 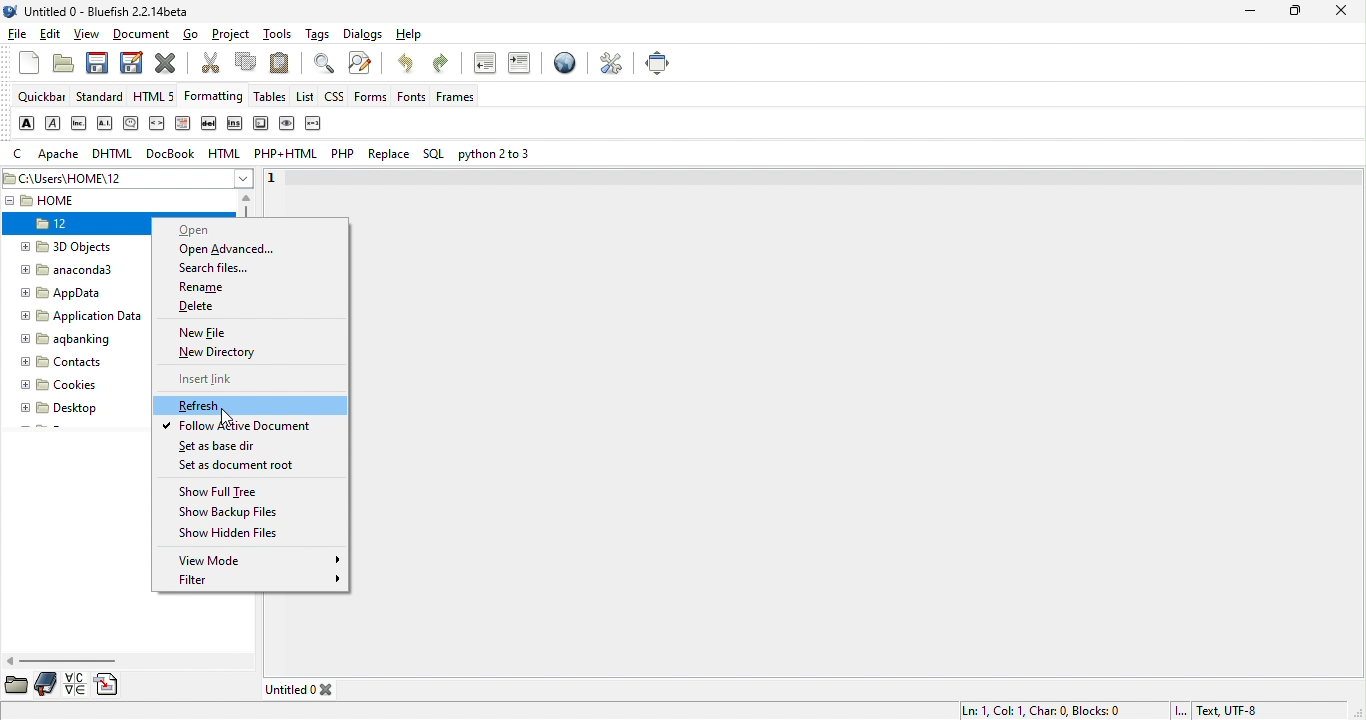 I want to click on tools, so click(x=281, y=35).